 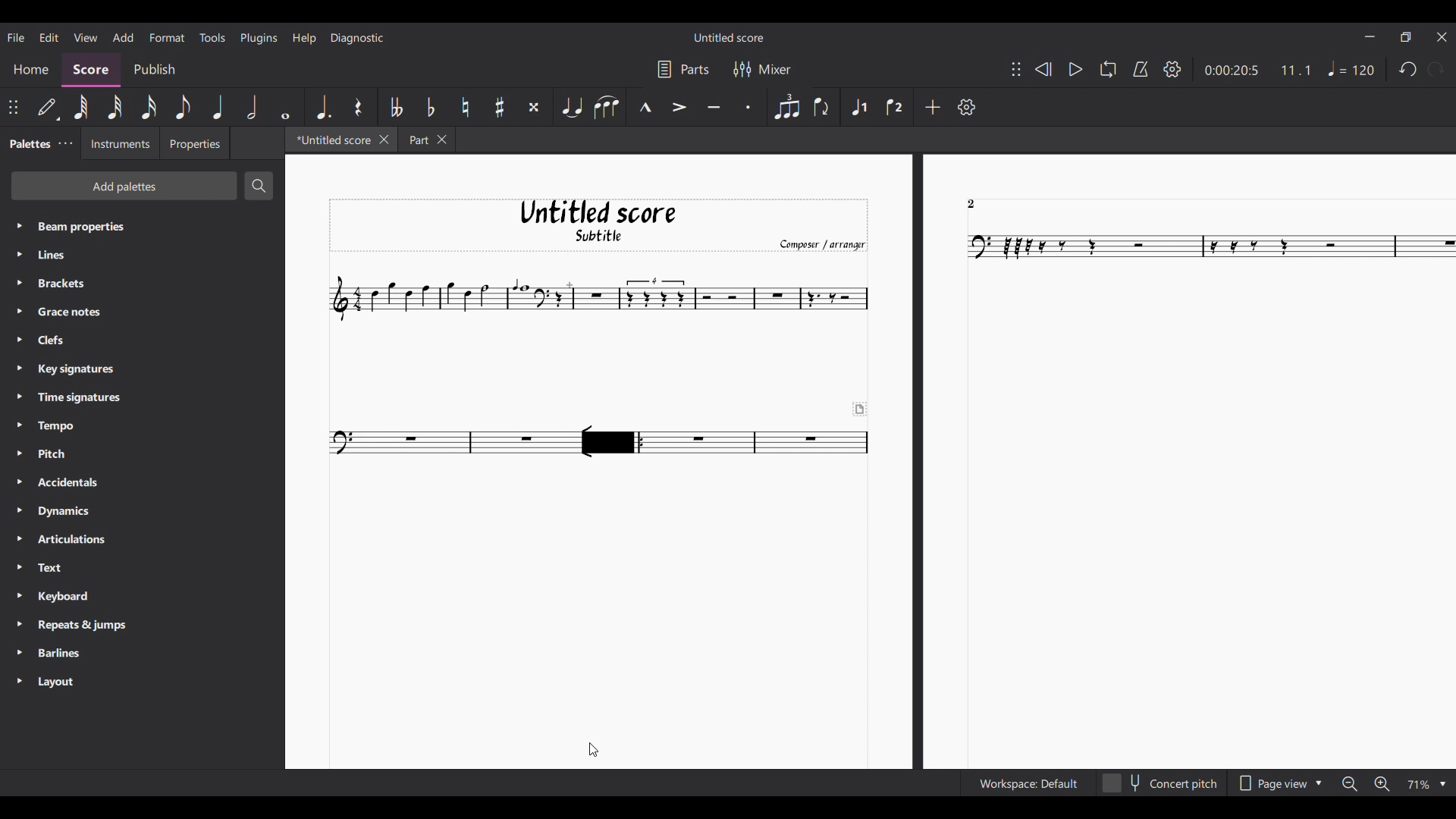 What do you see at coordinates (125, 186) in the screenshot?
I see `Add palette` at bounding box center [125, 186].